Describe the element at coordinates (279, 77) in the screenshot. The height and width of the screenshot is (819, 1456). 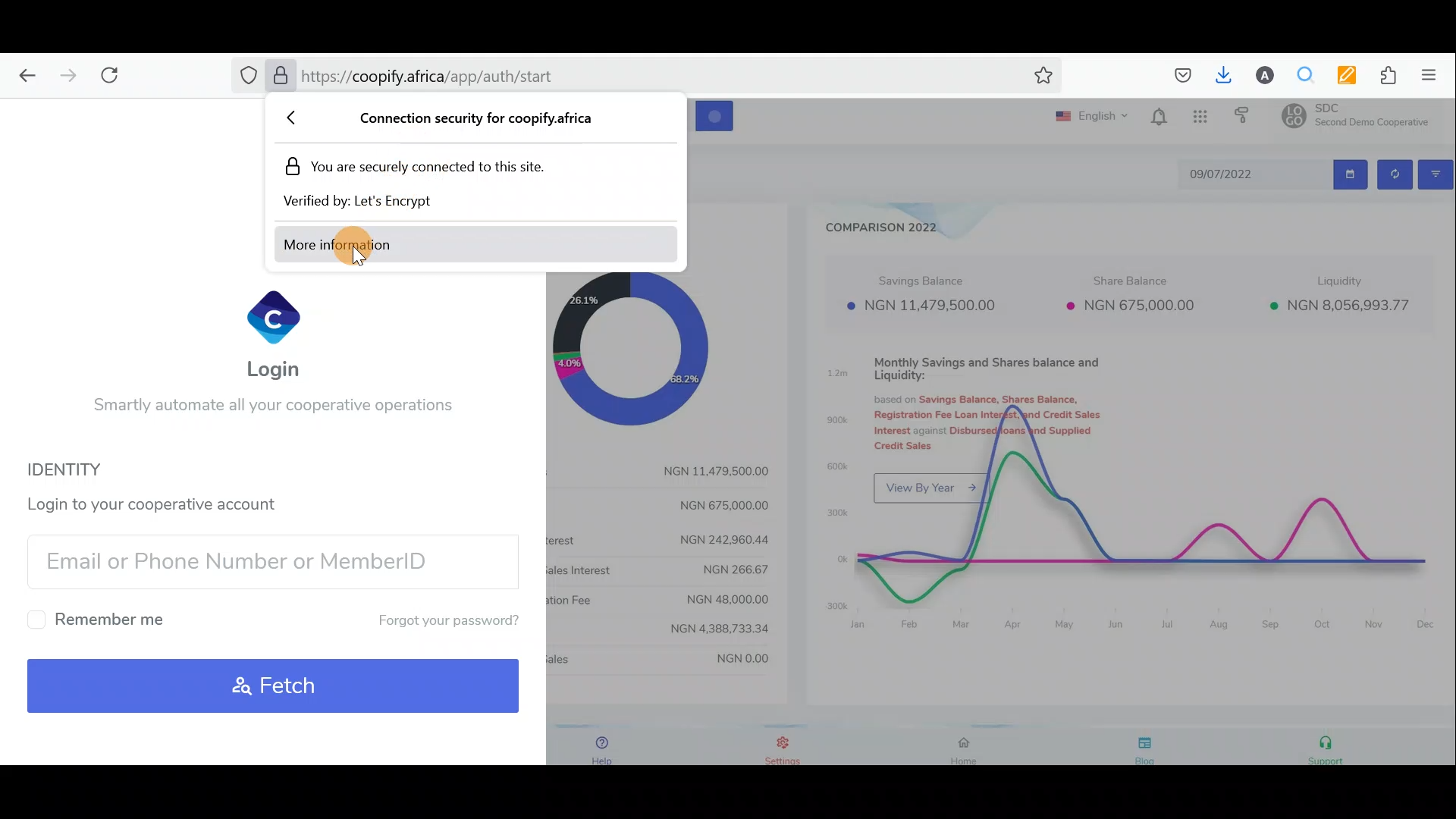
I see `Verified` at that location.